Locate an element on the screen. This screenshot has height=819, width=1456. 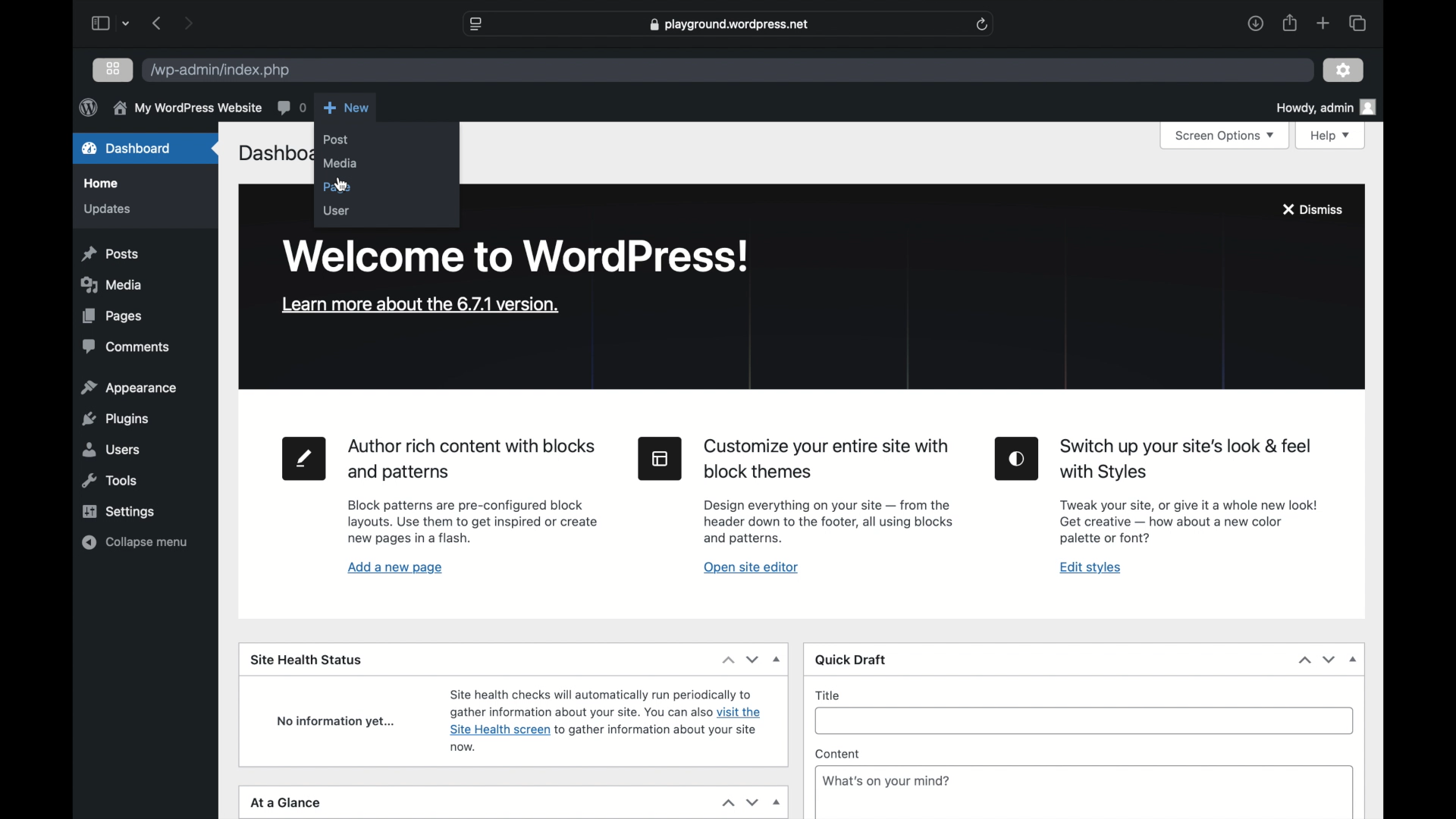
new is located at coordinates (347, 108).